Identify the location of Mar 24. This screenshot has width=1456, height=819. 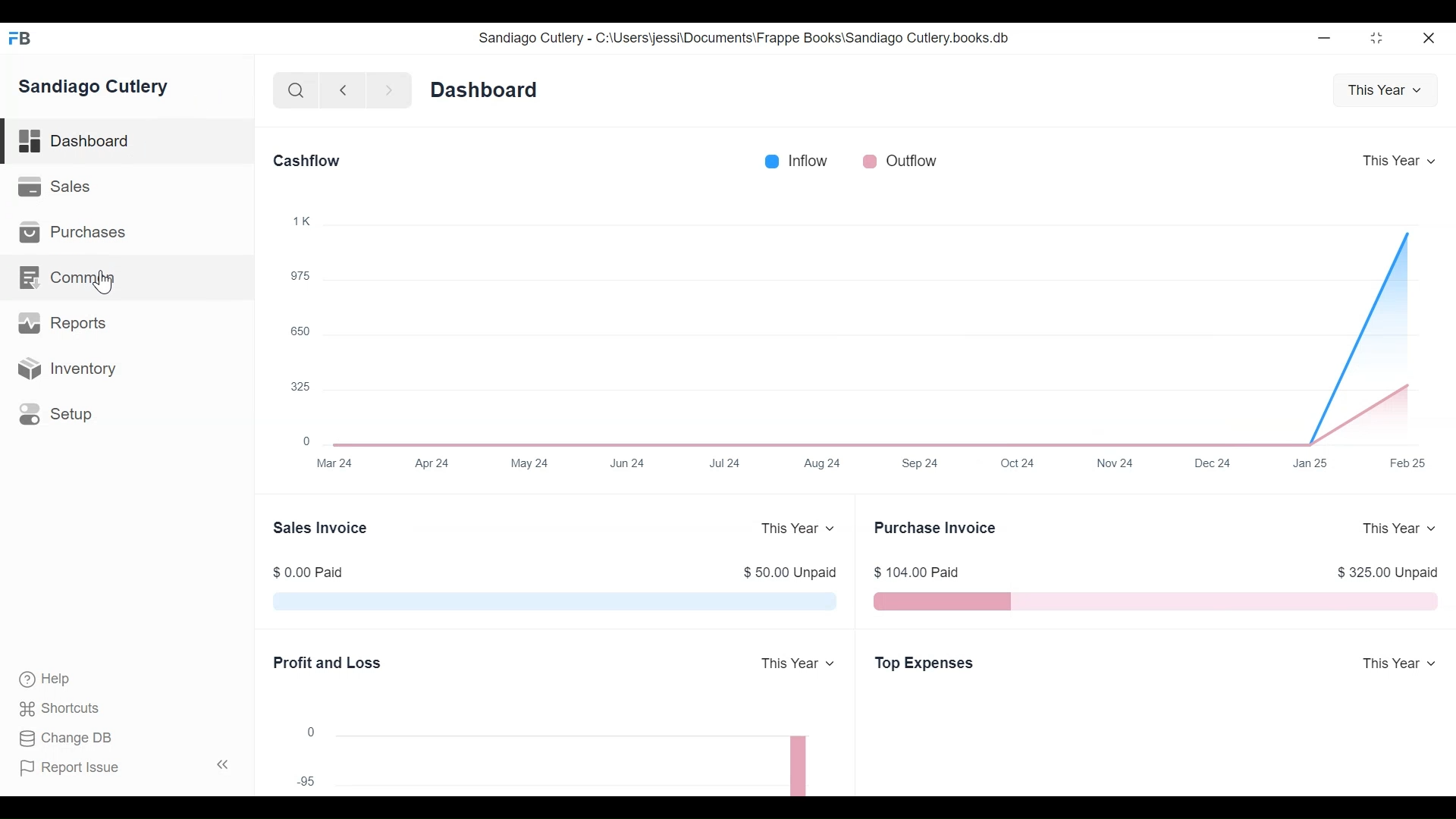
(333, 463).